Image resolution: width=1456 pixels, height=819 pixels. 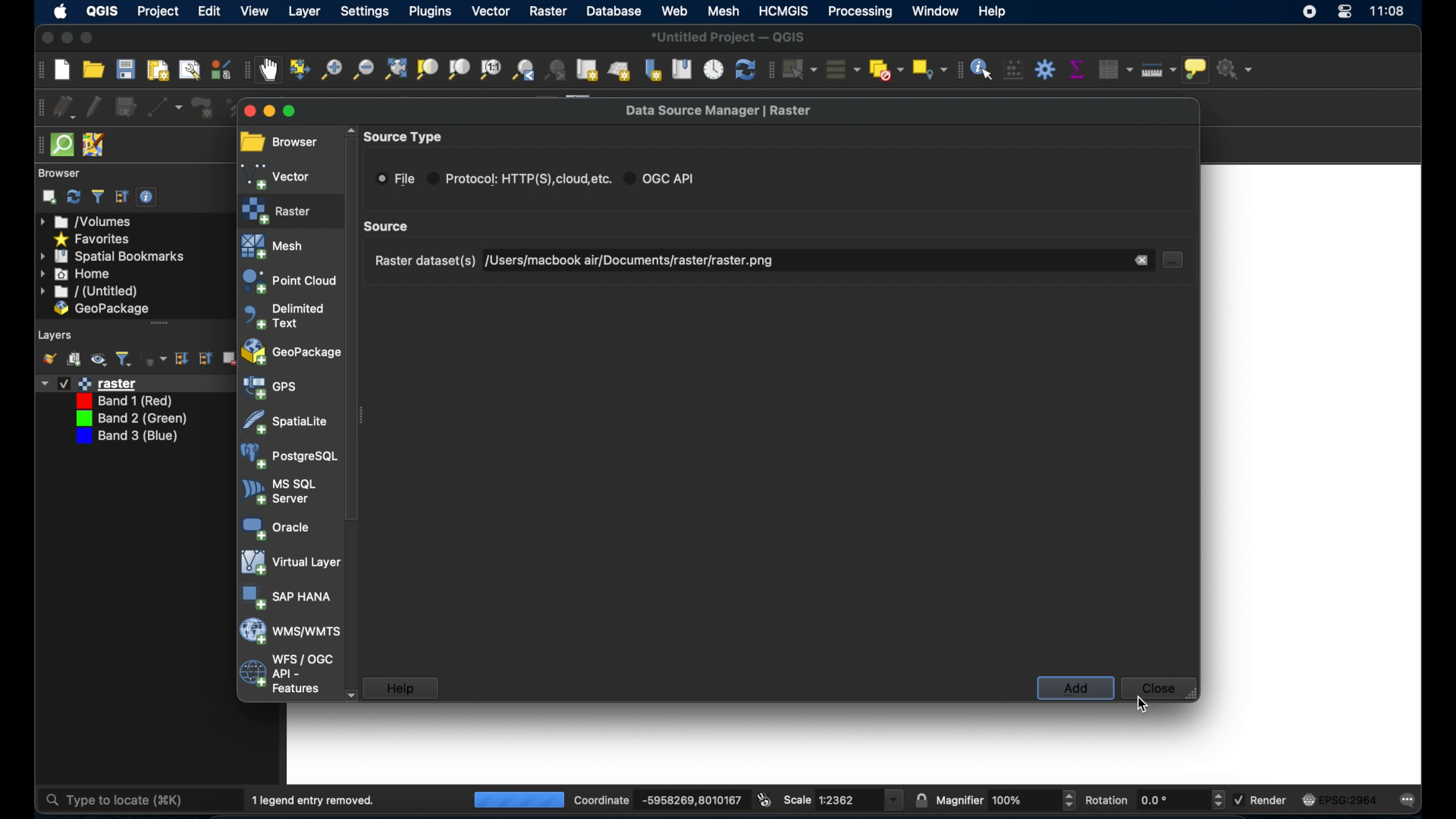 I want to click on 1 legend entry removed, so click(x=318, y=799).